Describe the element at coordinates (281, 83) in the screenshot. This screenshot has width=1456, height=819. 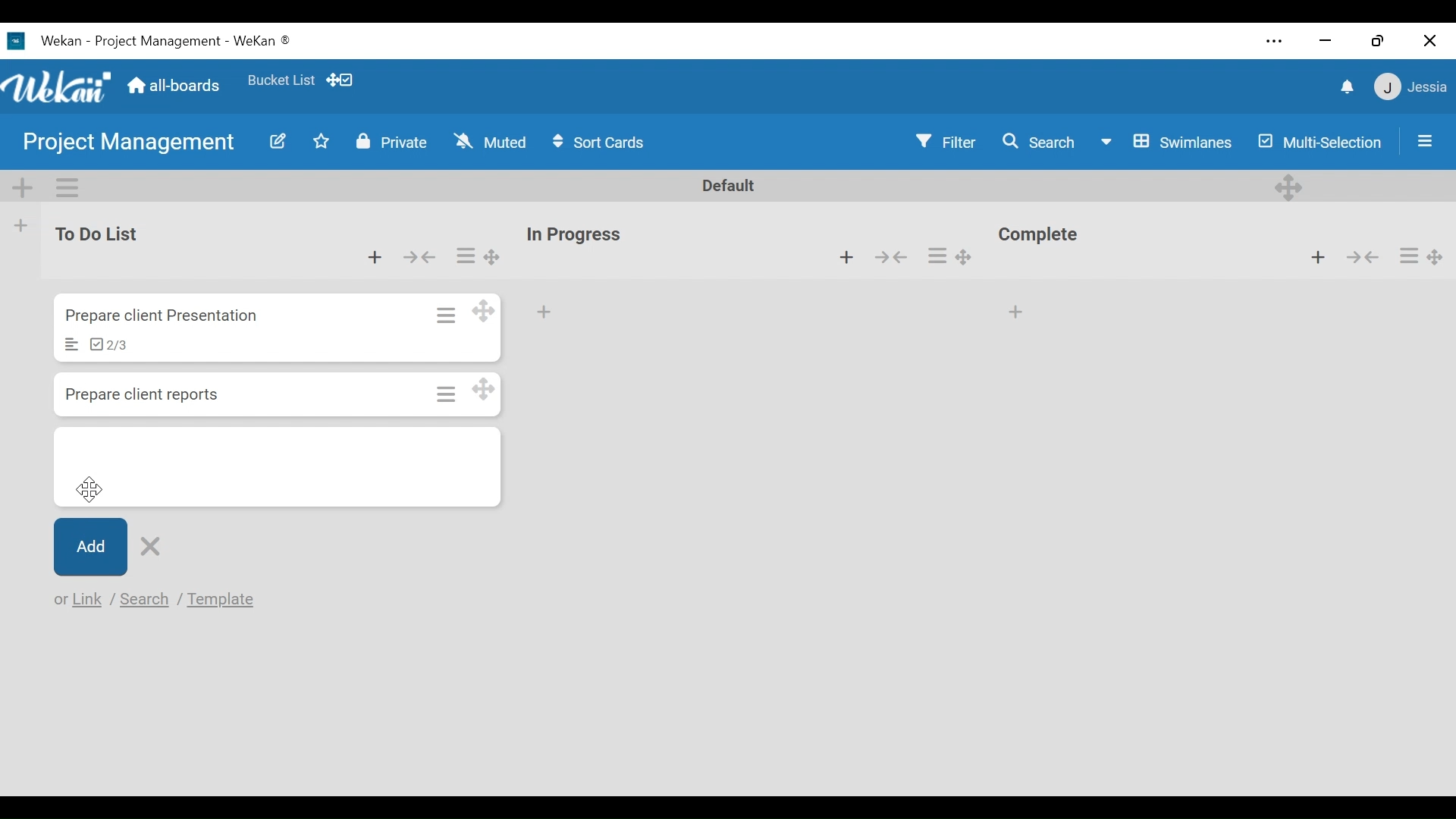
I see `Bucket list` at that location.